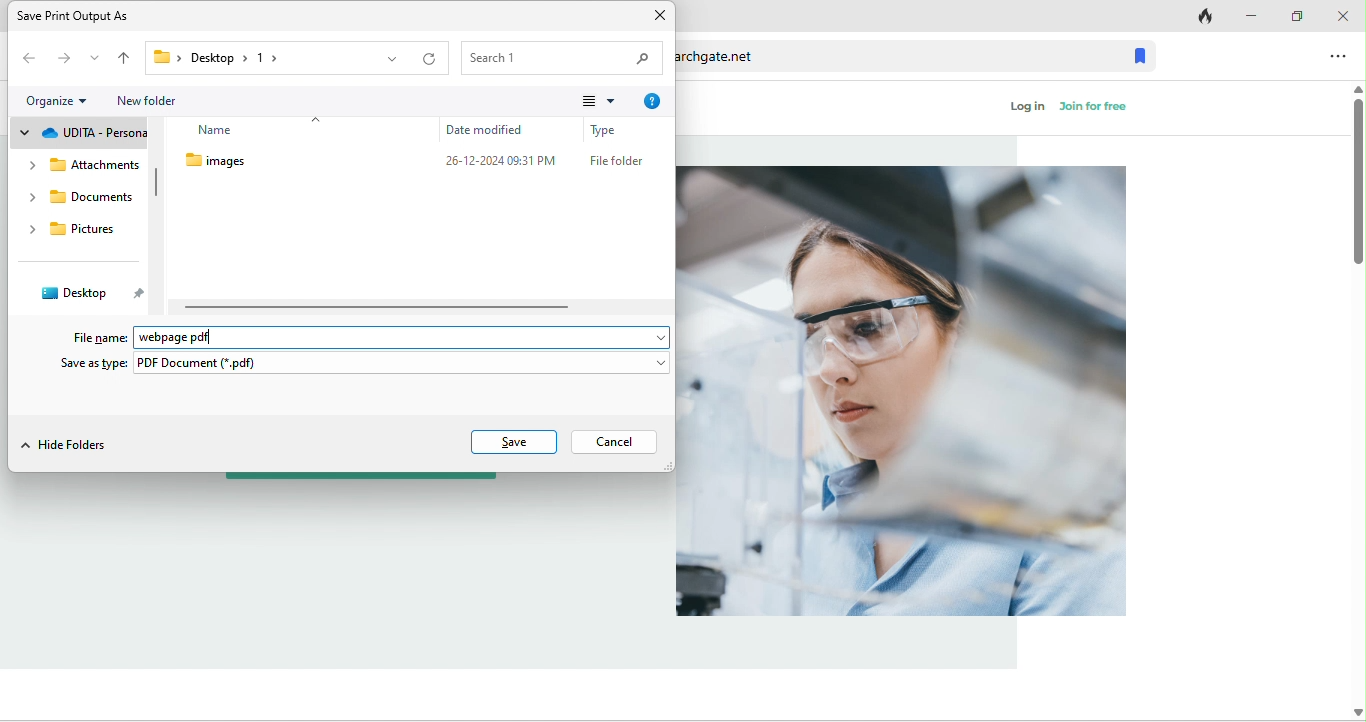 The width and height of the screenshot is (1366, 722). Describe the element at coordinates (94, 337) in the screenshot. I see `file name` at that location.